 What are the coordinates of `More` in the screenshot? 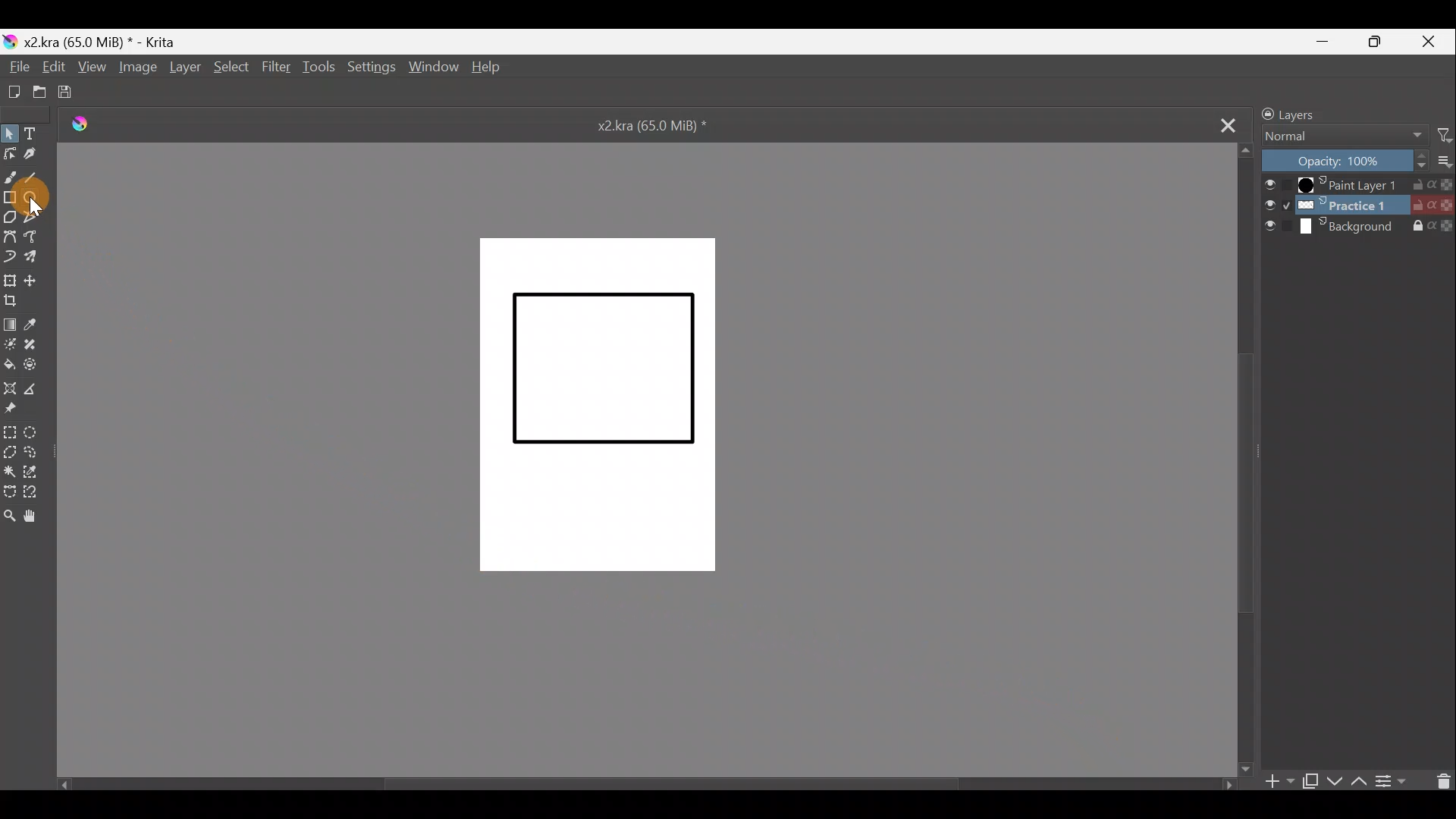 It's located at (1441, 162).